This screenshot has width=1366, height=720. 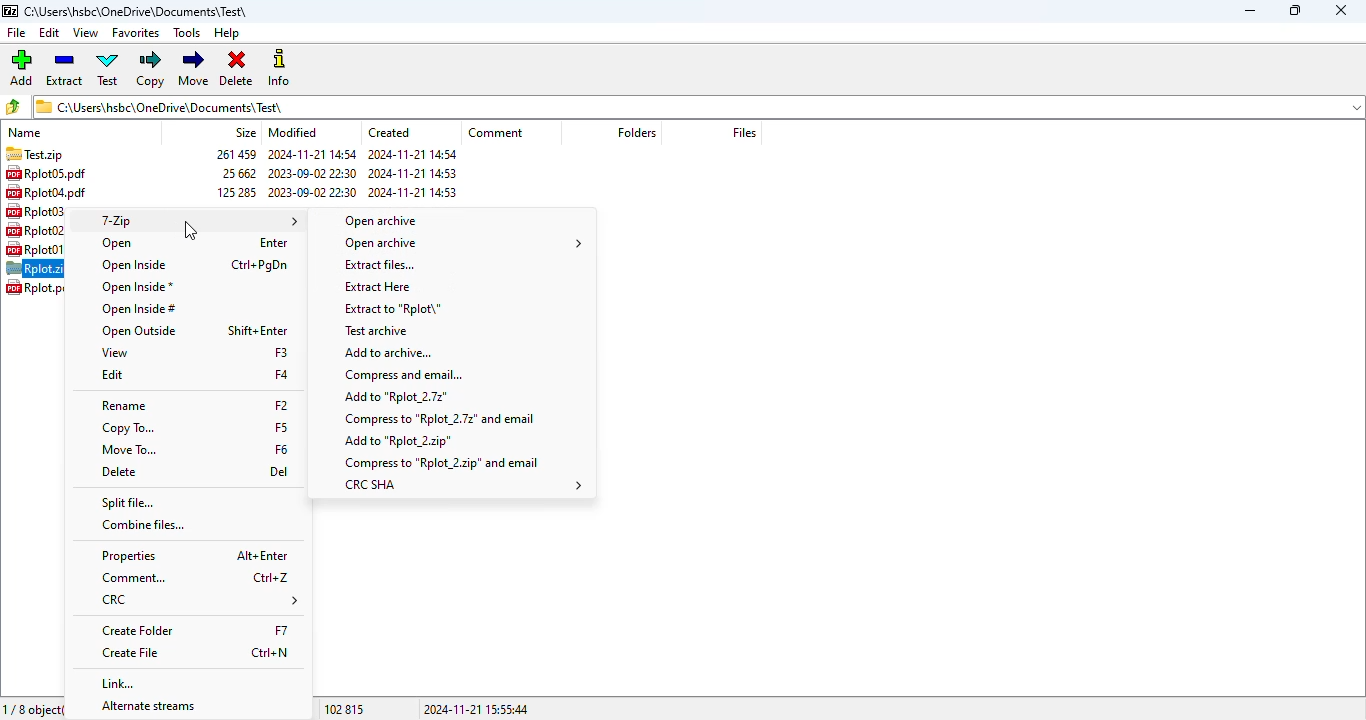 I want to click on modified date & time, so click(x=312, y=175).